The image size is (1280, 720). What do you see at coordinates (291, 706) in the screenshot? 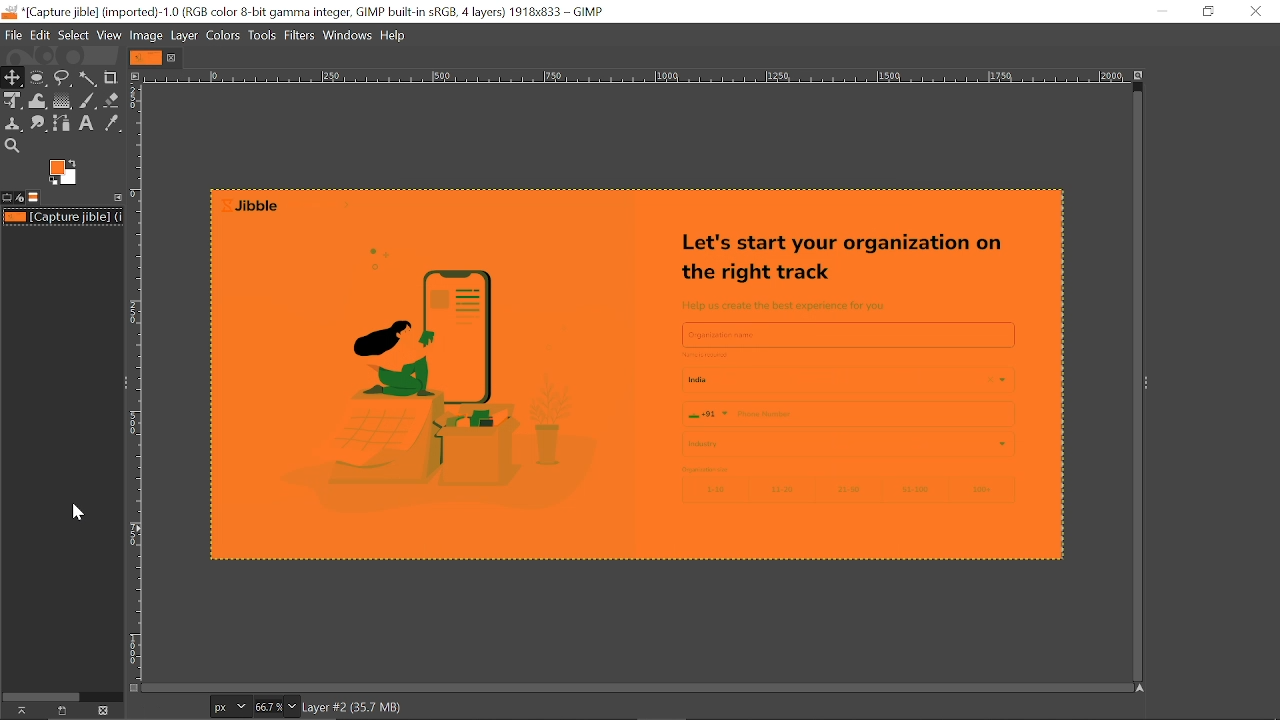
I see `Zoom options` at bounding box center [291, 706].